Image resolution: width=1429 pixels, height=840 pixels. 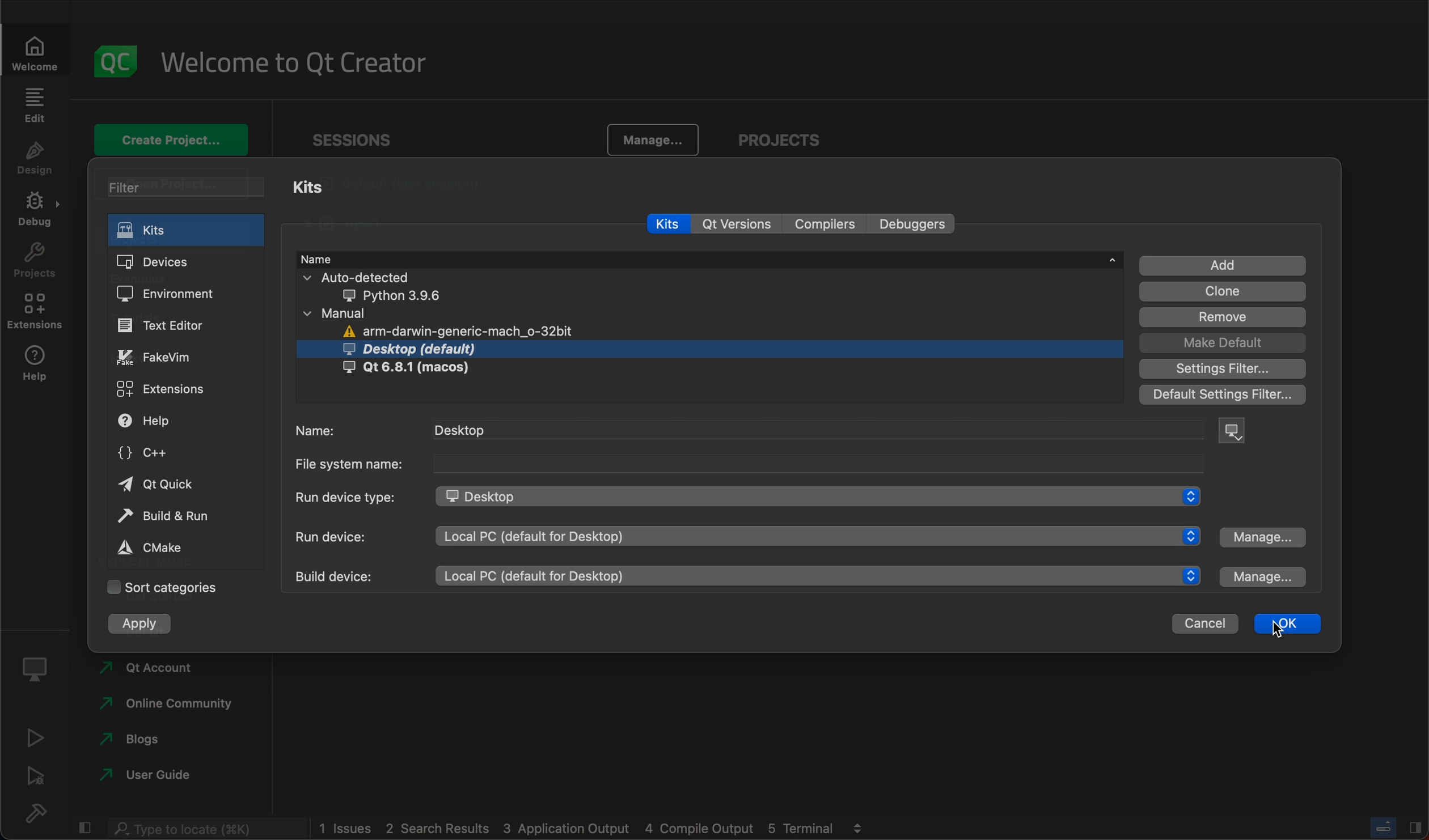 I want to click on Hide/Show right sidebar, so click(x=1414, y=825).